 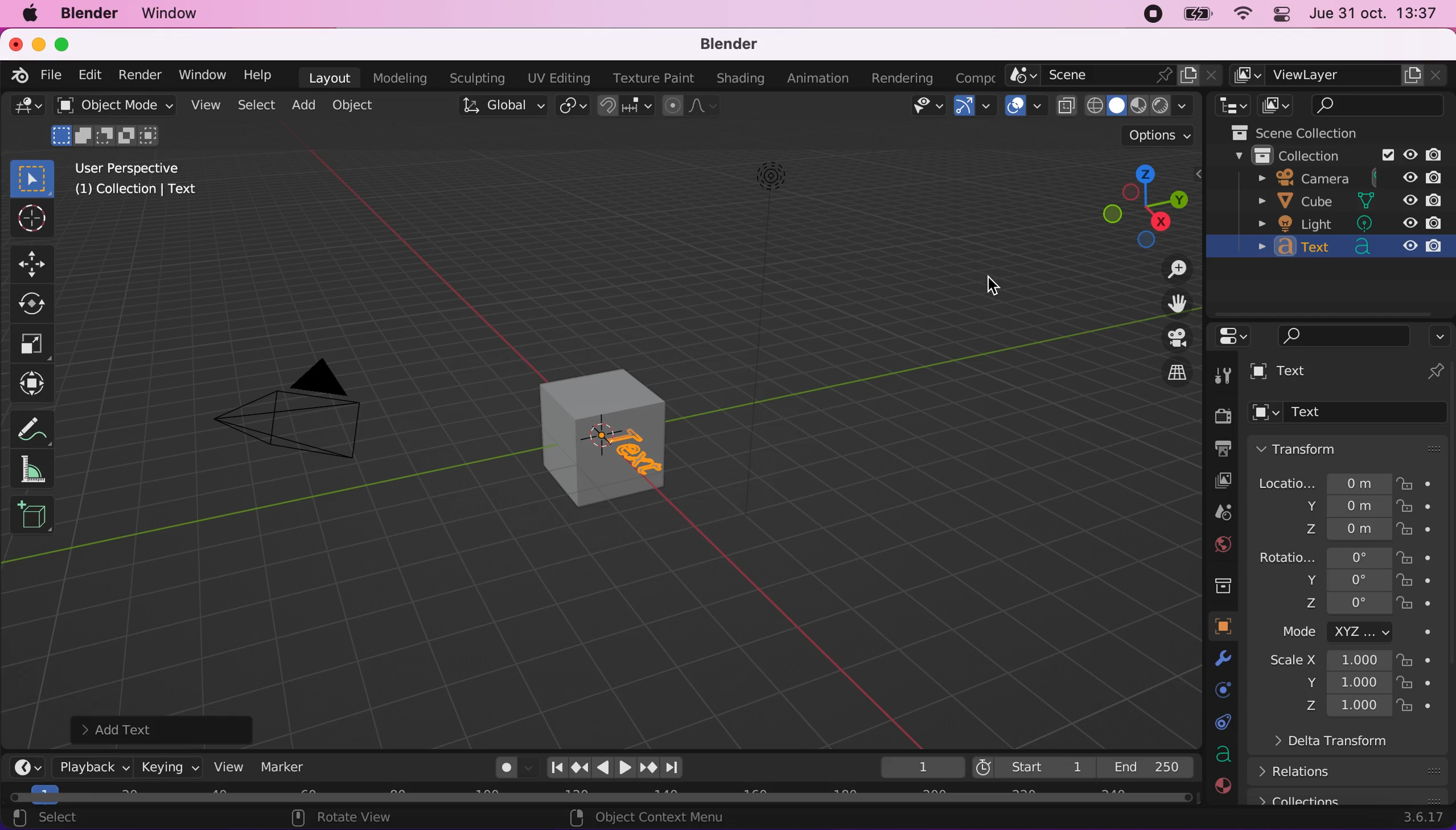 I want to click on transform pivot point, so click(x=572, y=108).